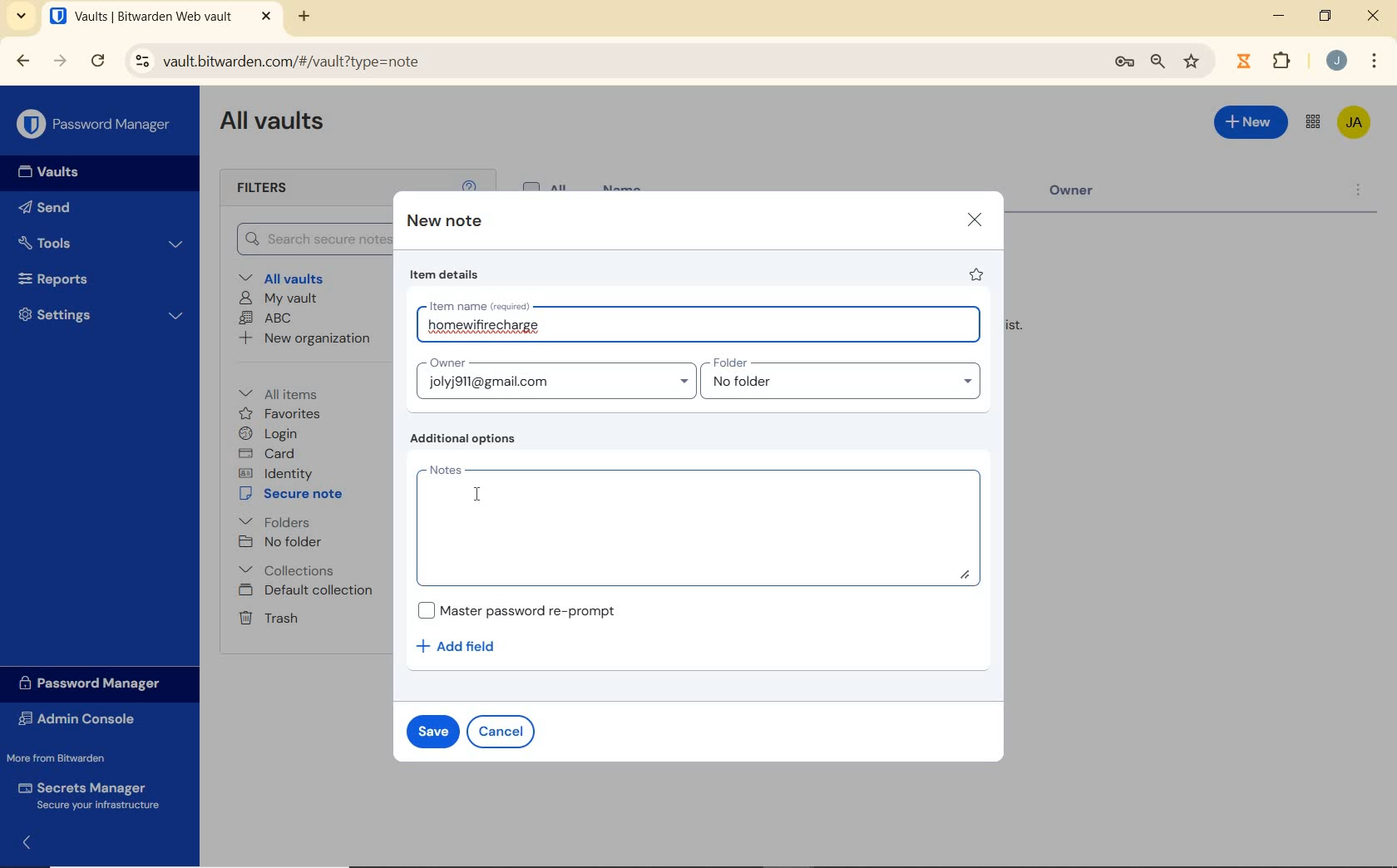 The width and height of the screenshot is (1397, 868). I want to click on My Vault, so click(278, 299).